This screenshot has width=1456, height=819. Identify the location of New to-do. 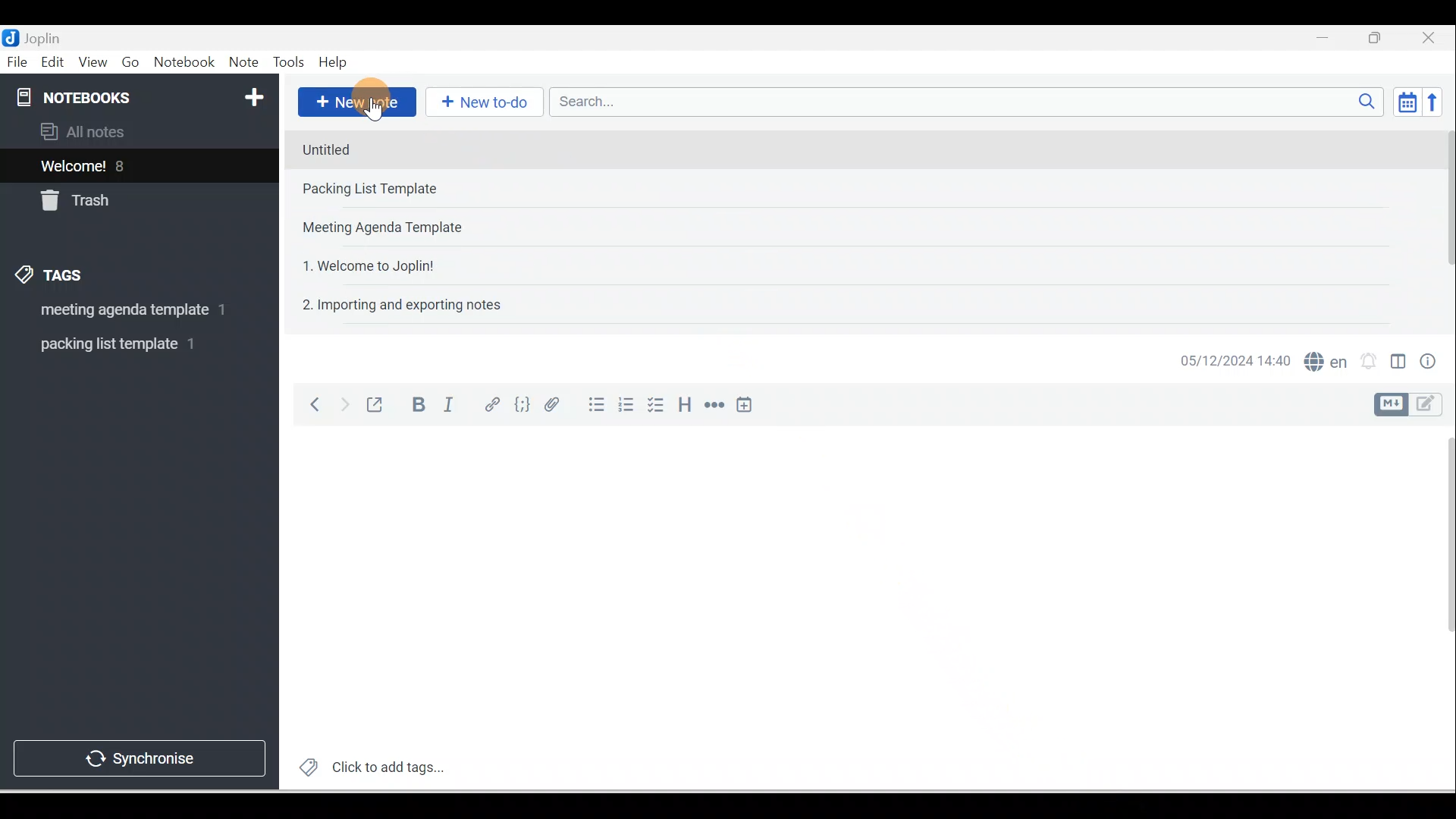
(481, 103).